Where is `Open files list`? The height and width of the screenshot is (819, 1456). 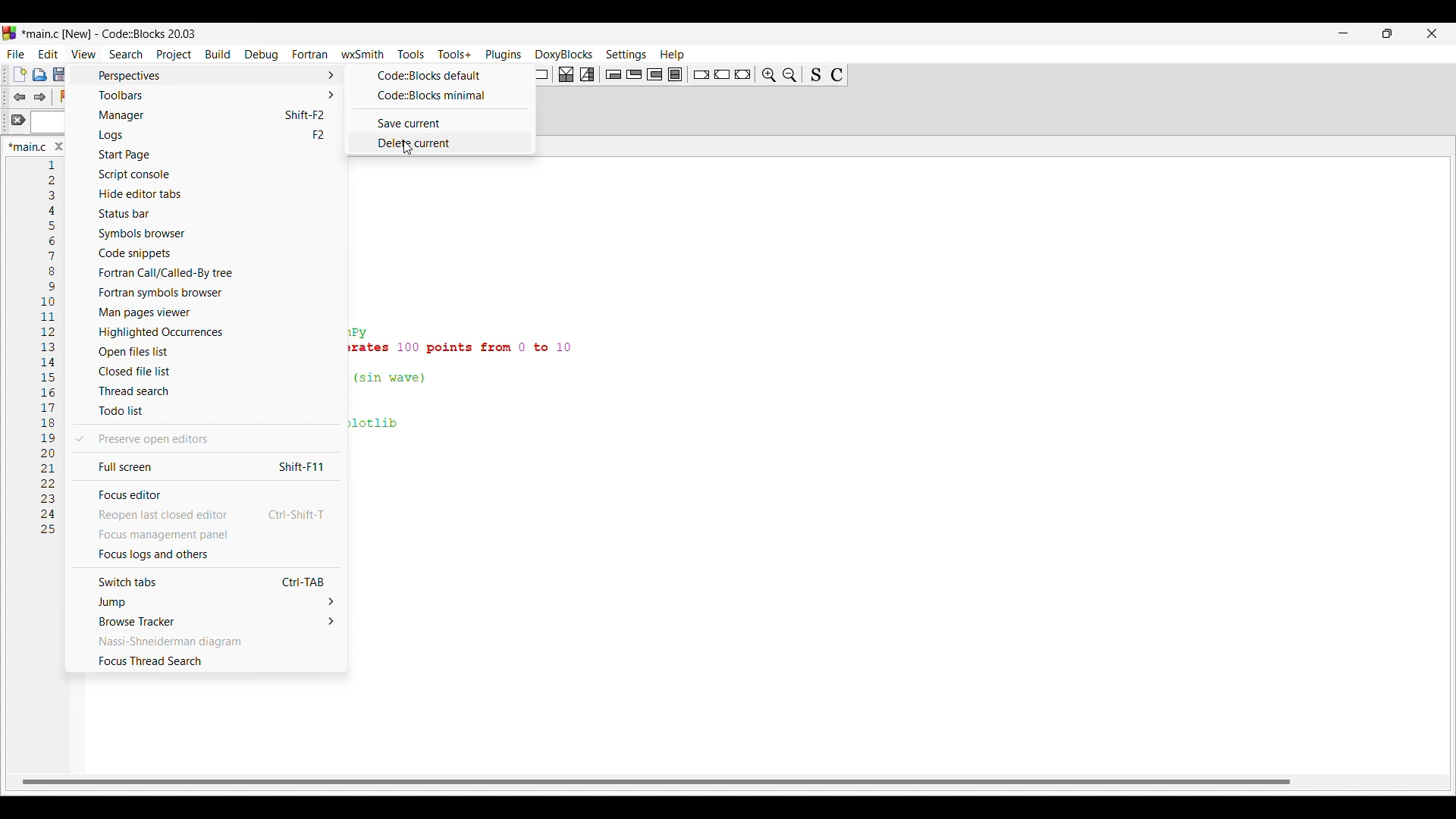
Open files list is located at coordinates (207, 352).